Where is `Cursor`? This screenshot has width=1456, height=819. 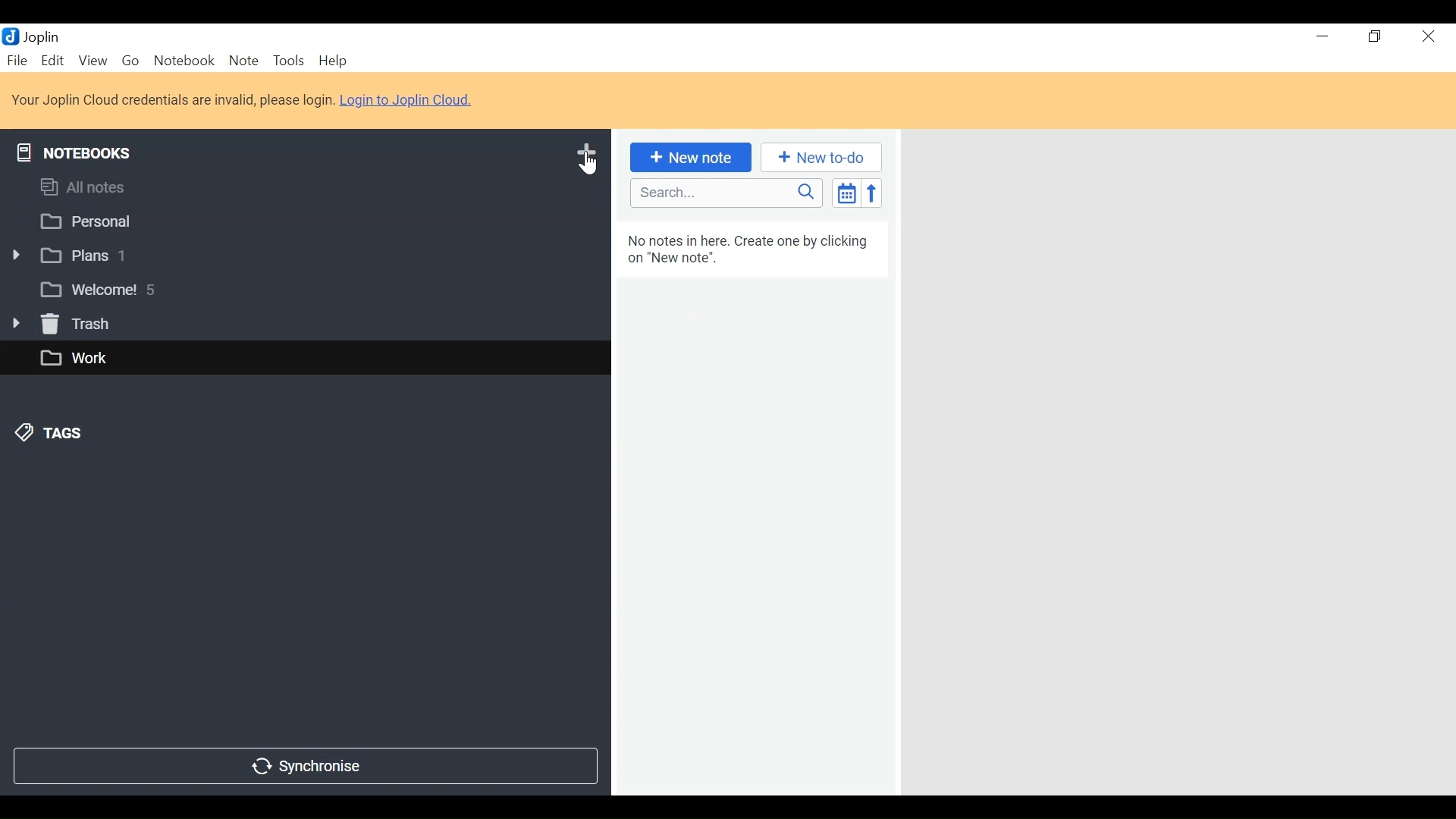 Cursor is located at coordinates (582, 163).